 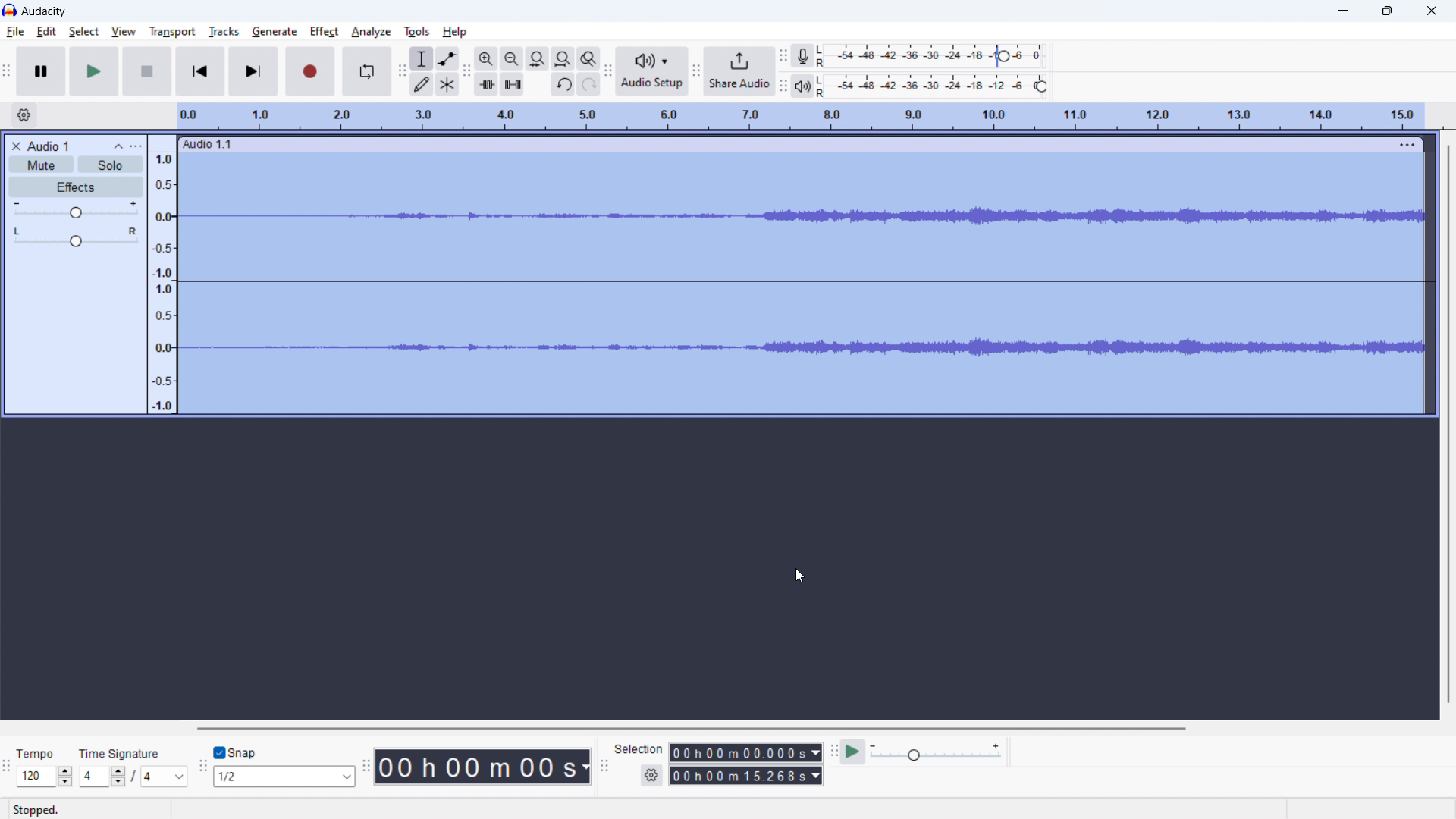 I want to click on timeline settings, so click(x=24, y=115).